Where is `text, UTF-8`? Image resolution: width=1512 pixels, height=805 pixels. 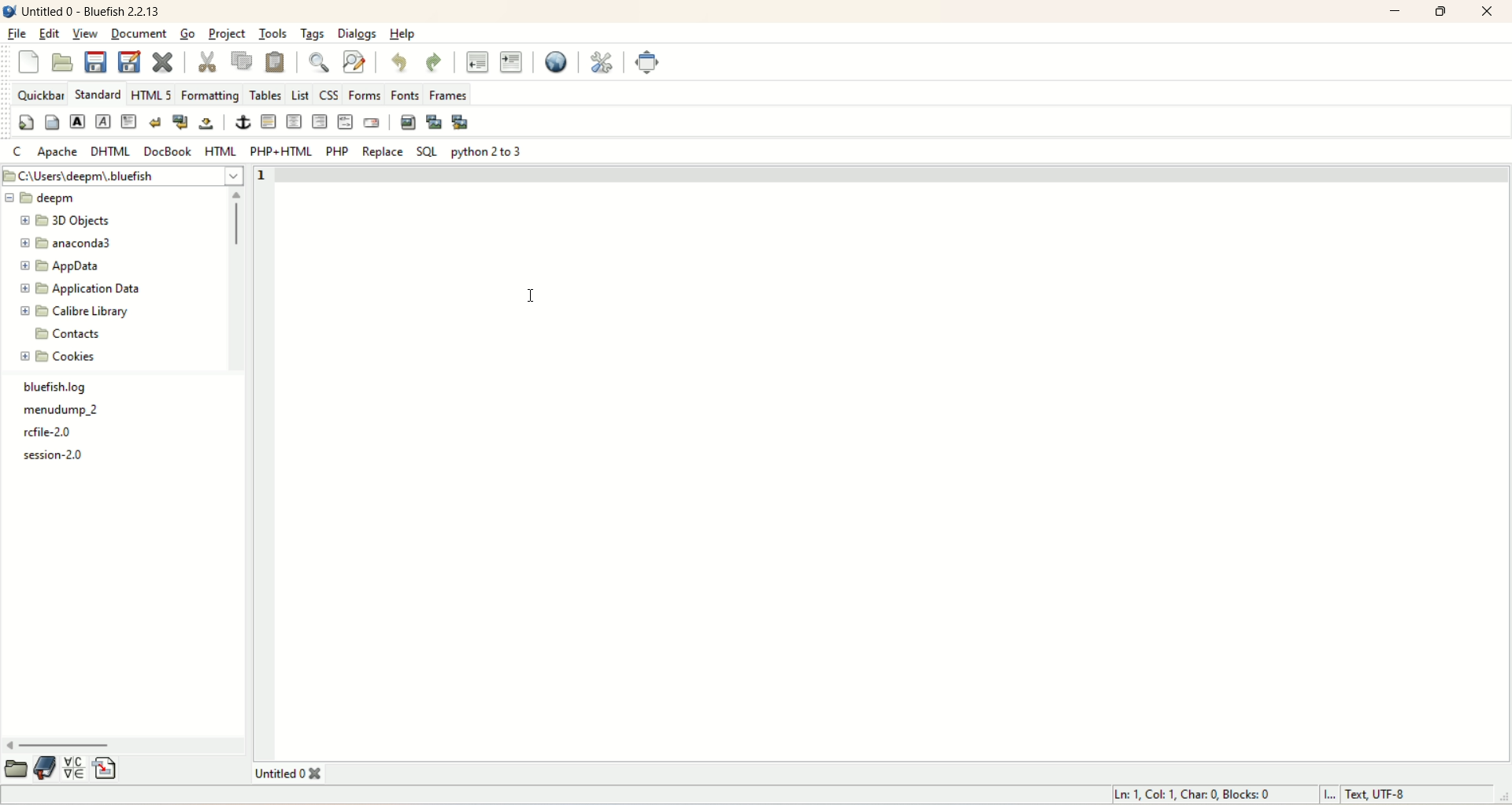
text, UTF-8 is located at coordinates (1386, 796).